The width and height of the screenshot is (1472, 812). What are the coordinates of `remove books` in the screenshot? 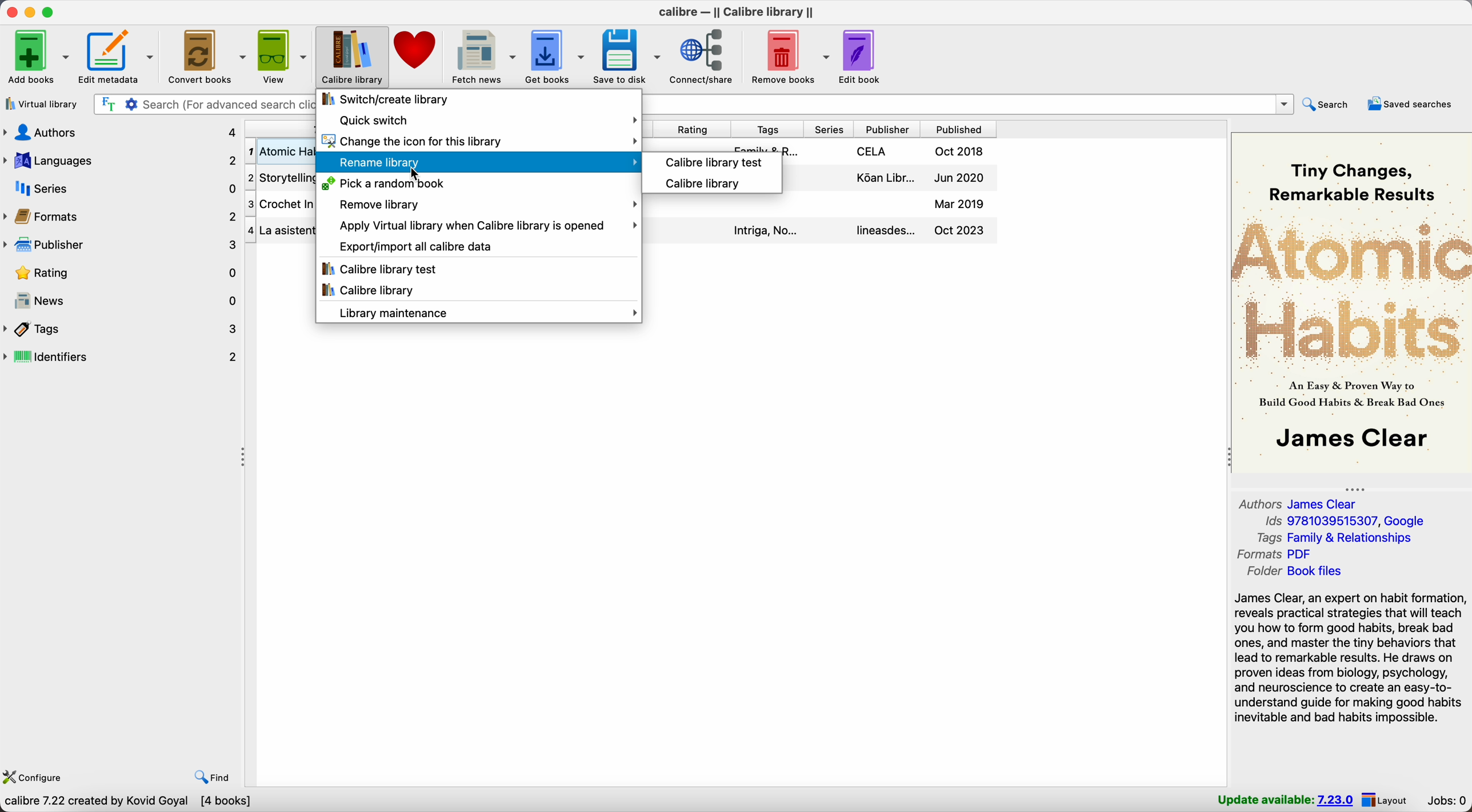 It's located at (790, 57).